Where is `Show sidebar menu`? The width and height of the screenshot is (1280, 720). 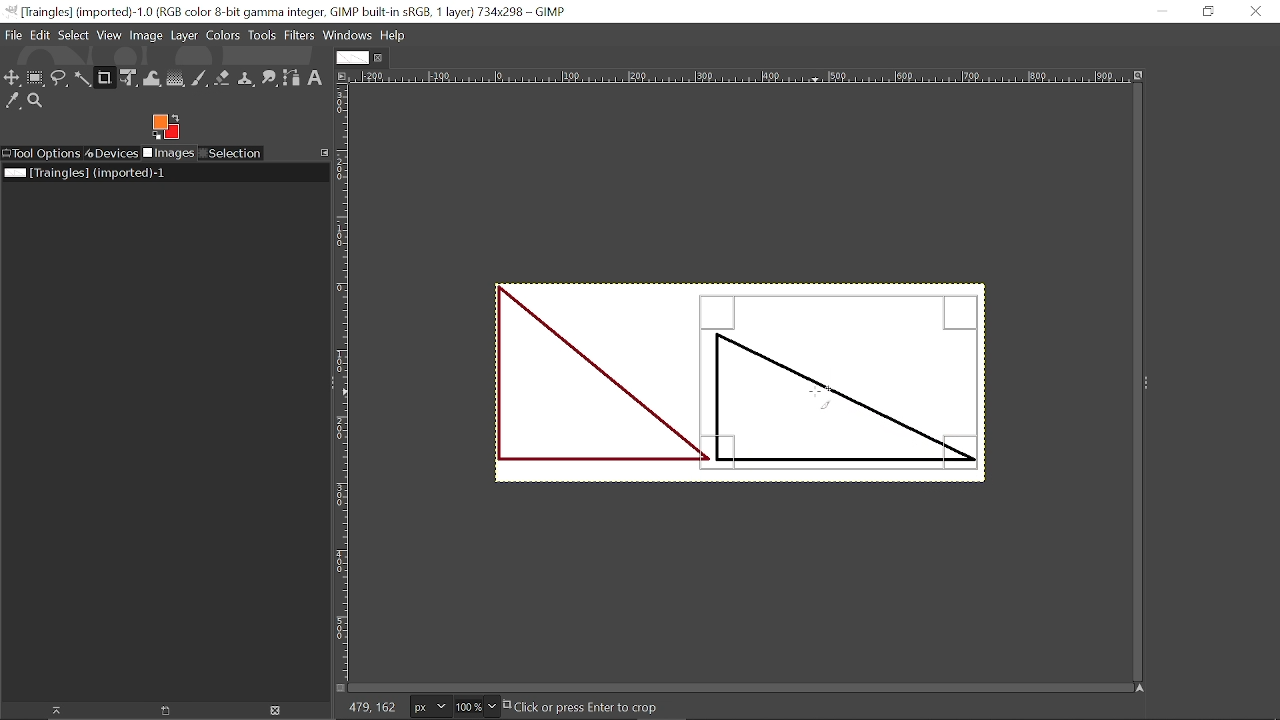
Show sidebar menu is located at coordinates (1147, 383).